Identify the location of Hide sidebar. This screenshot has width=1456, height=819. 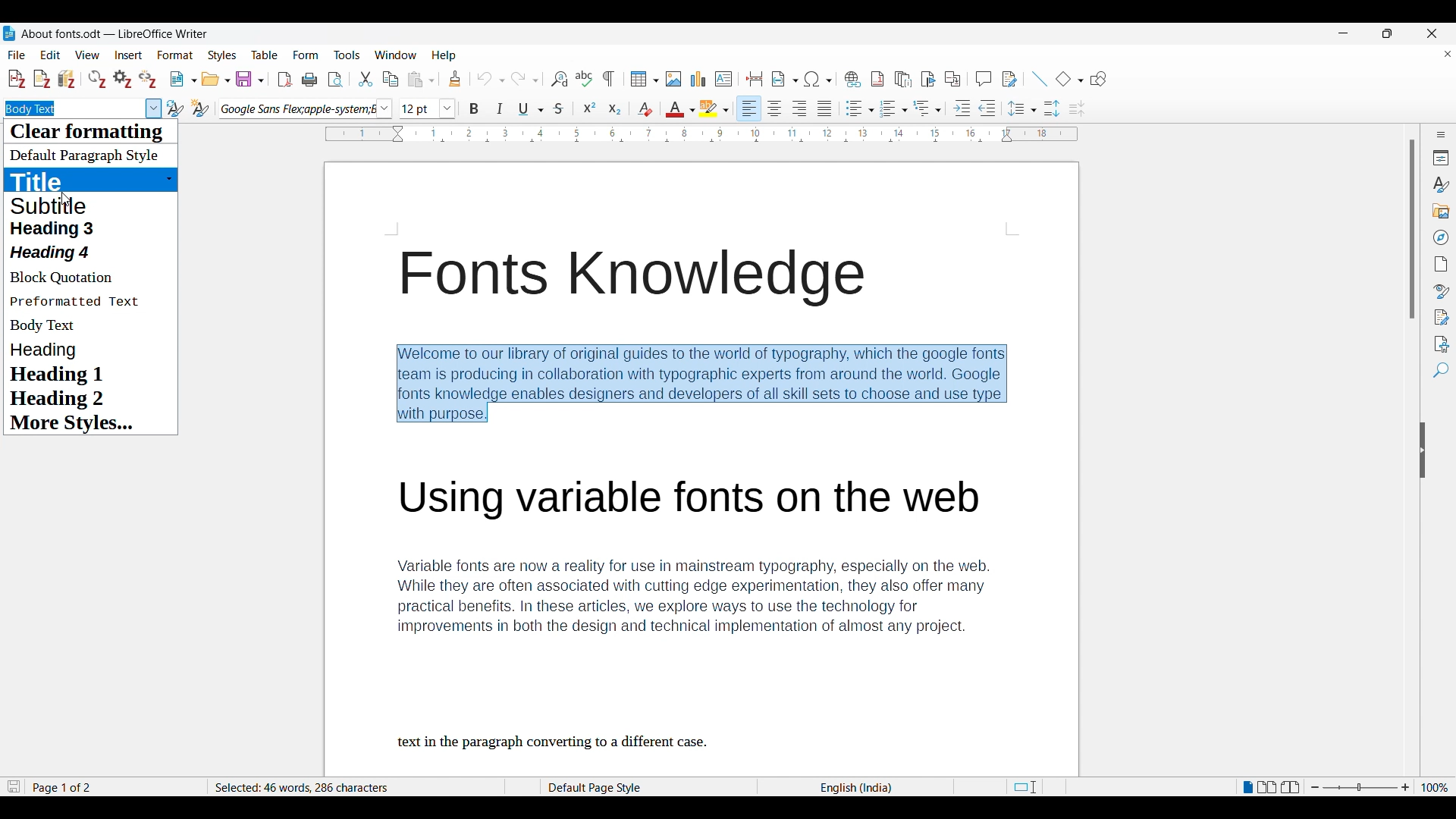
(1423, 450).